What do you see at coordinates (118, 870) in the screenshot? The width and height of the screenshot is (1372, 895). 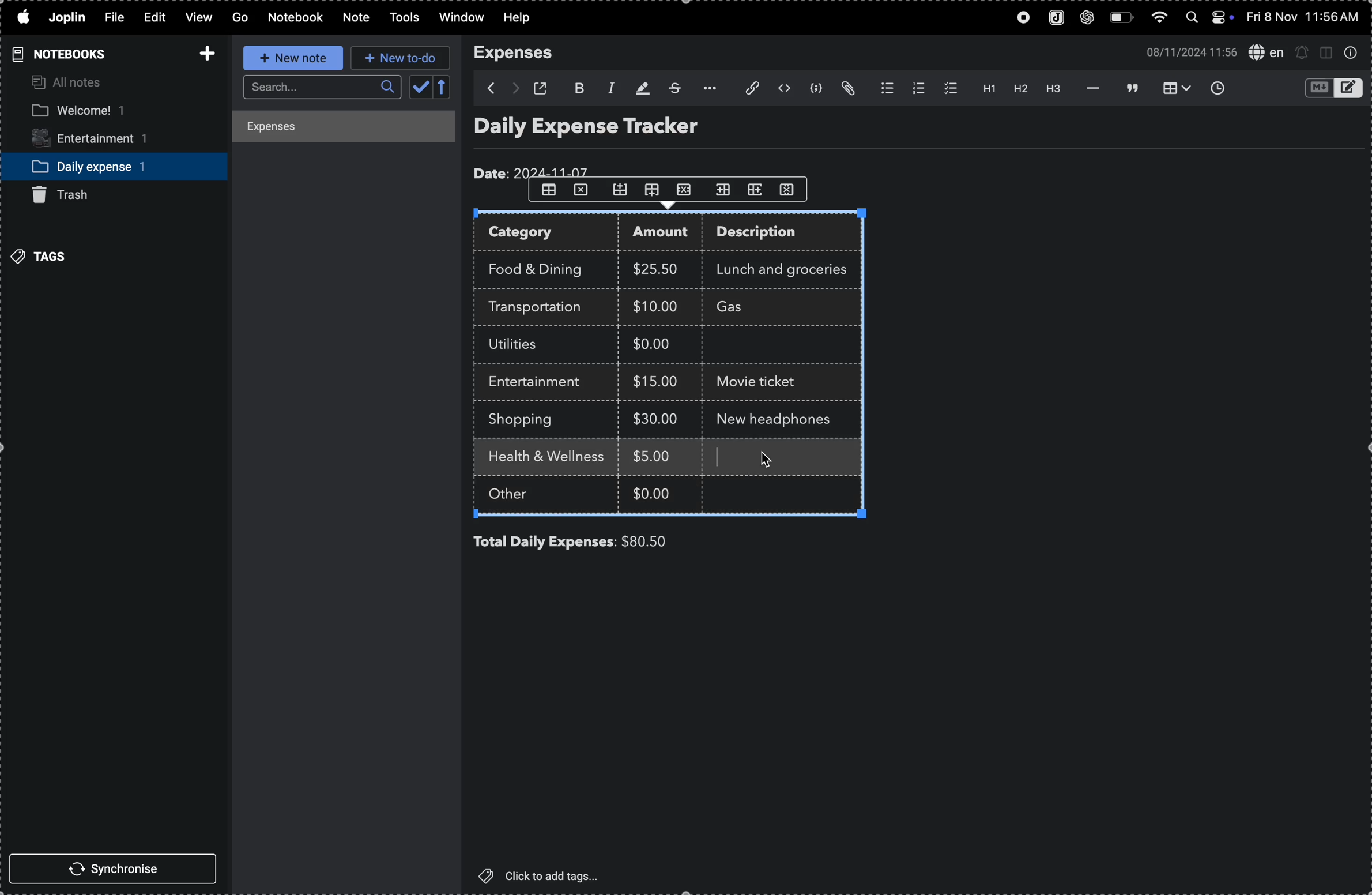 I see `synchronise` at bounding box center [118, 870].